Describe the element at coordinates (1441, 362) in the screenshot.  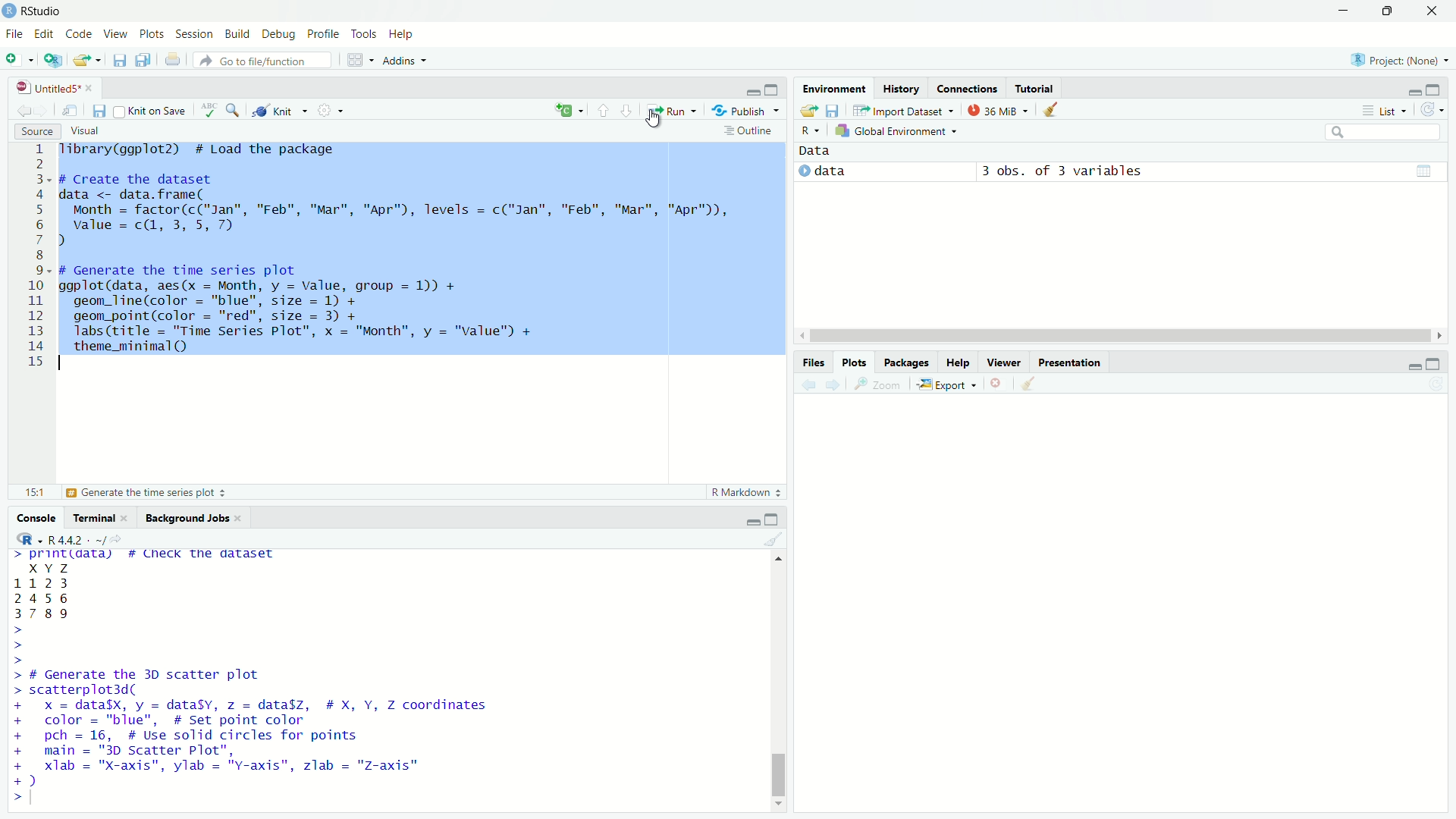
I see `maximize` at that location.